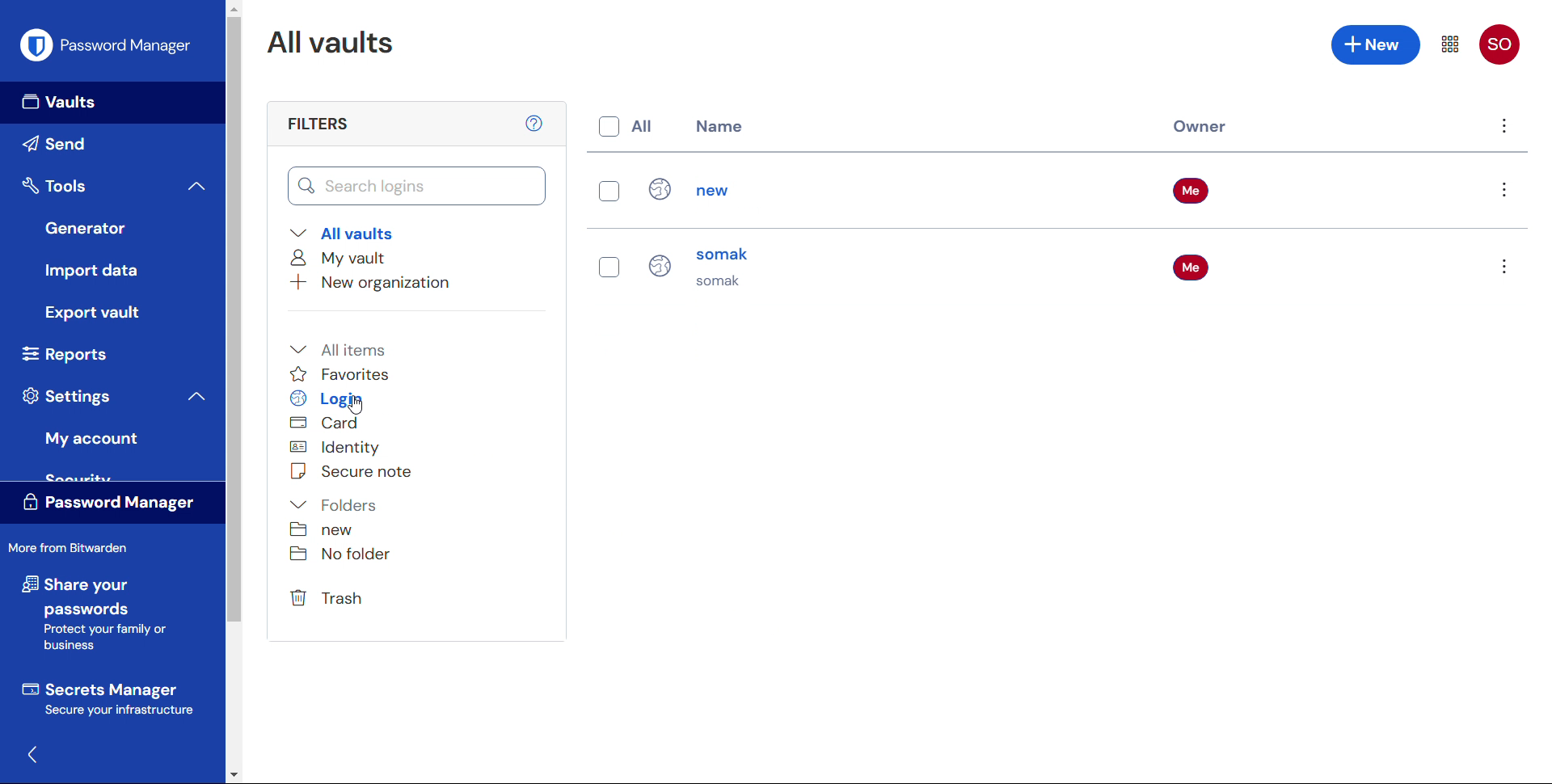 This screenshot has width=1552, height=784. I want to click on Options, so click(1503, 267).